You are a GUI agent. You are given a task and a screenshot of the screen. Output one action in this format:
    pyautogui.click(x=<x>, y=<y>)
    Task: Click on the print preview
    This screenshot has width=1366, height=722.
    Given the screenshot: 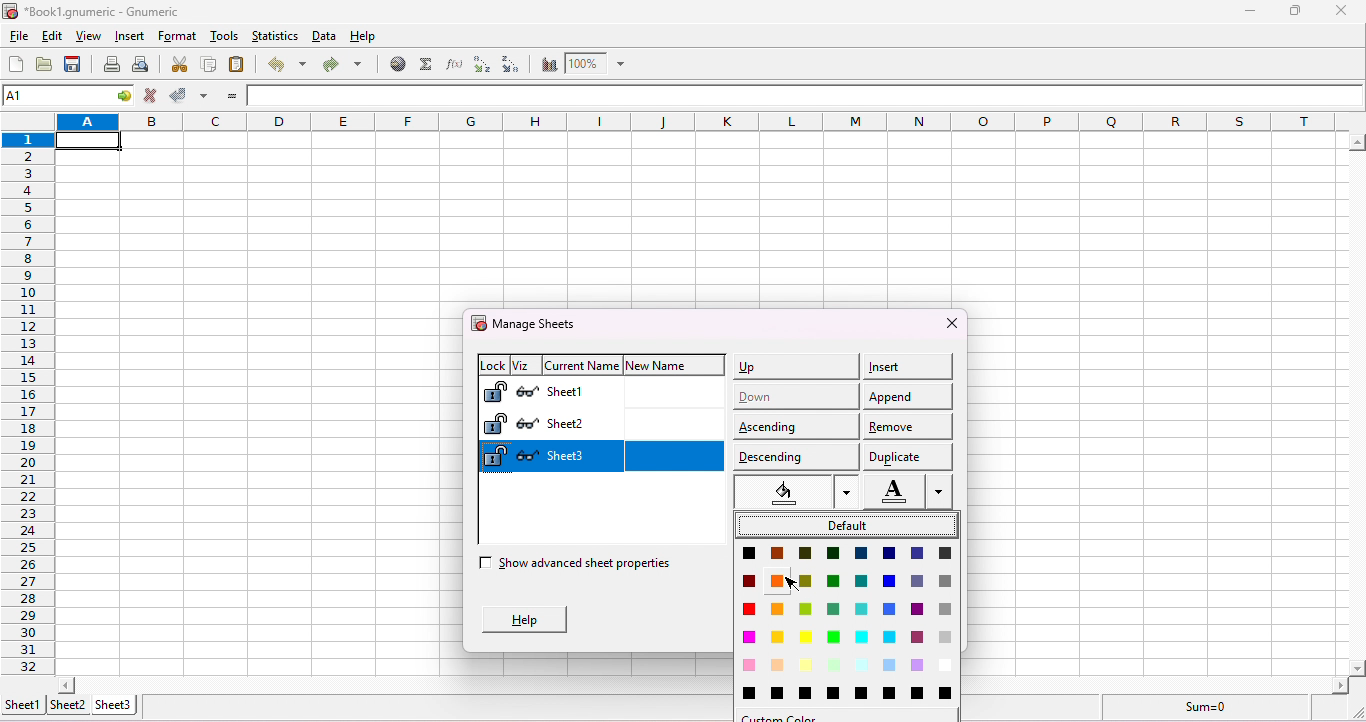 What is the action you would take?
    pyautogui.click(x=148, y=65)
    